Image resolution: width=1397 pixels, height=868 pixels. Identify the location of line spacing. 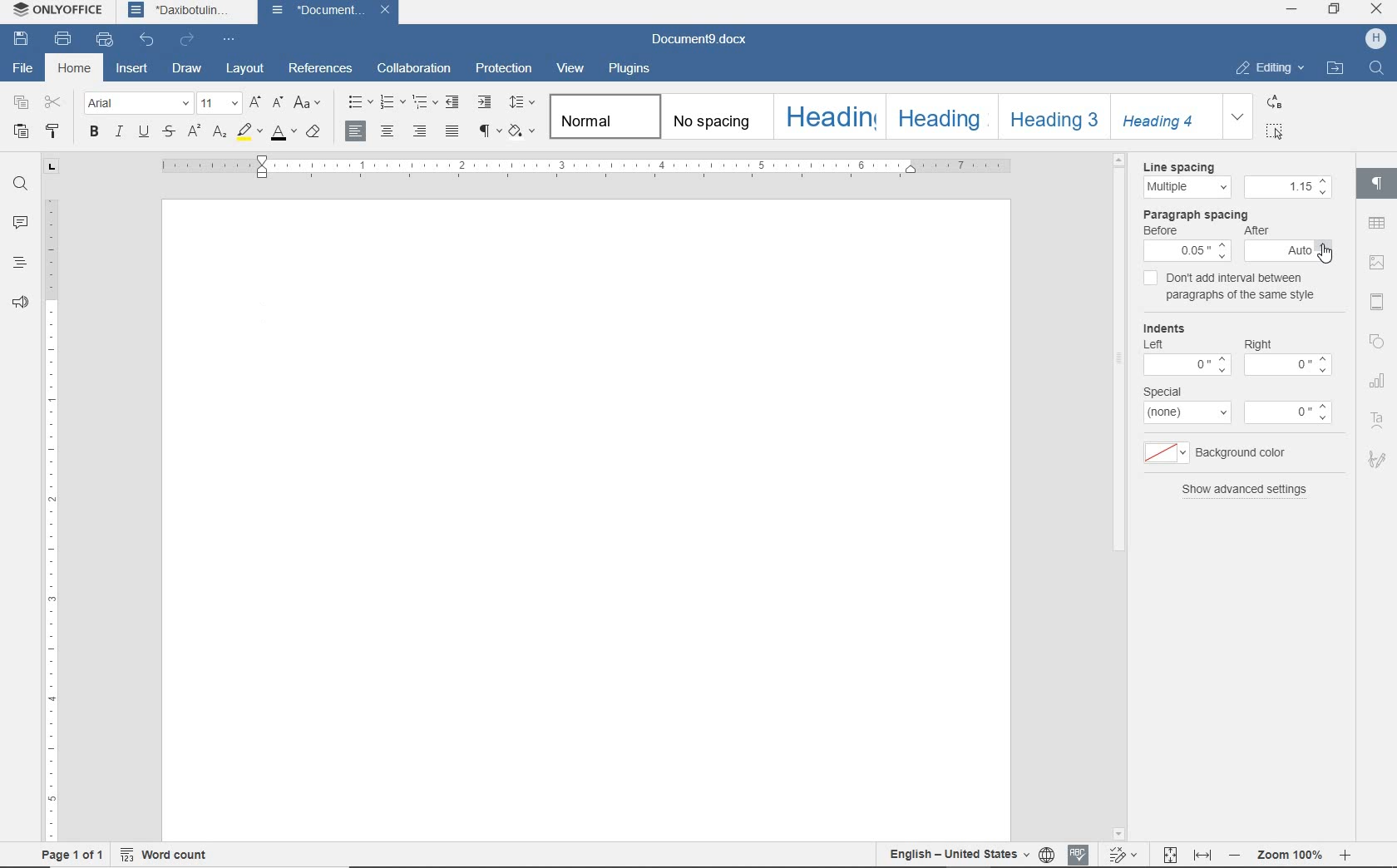
(1187, 187).